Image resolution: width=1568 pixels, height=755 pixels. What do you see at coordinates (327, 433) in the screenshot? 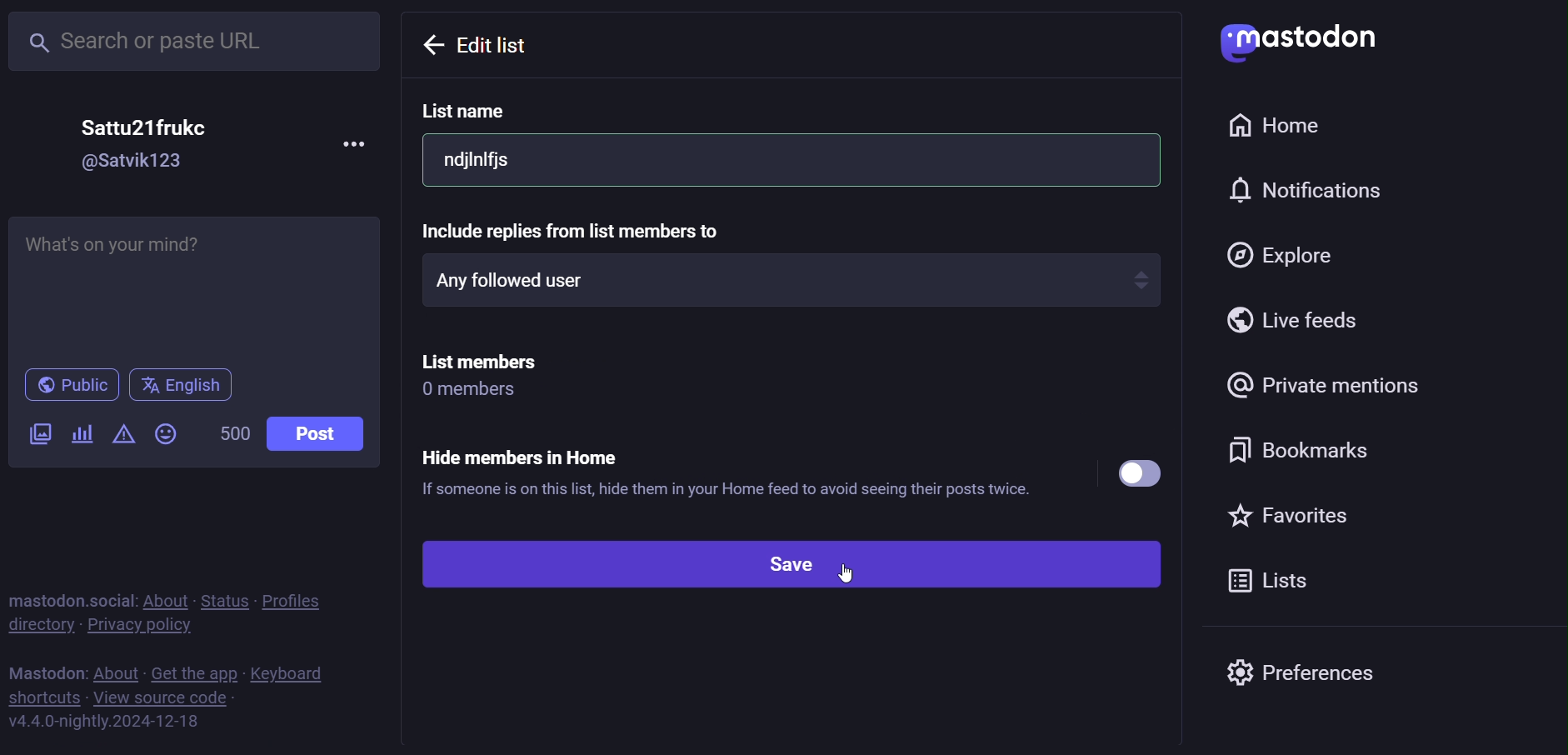
I see `post` at bounding box center [327, 433].